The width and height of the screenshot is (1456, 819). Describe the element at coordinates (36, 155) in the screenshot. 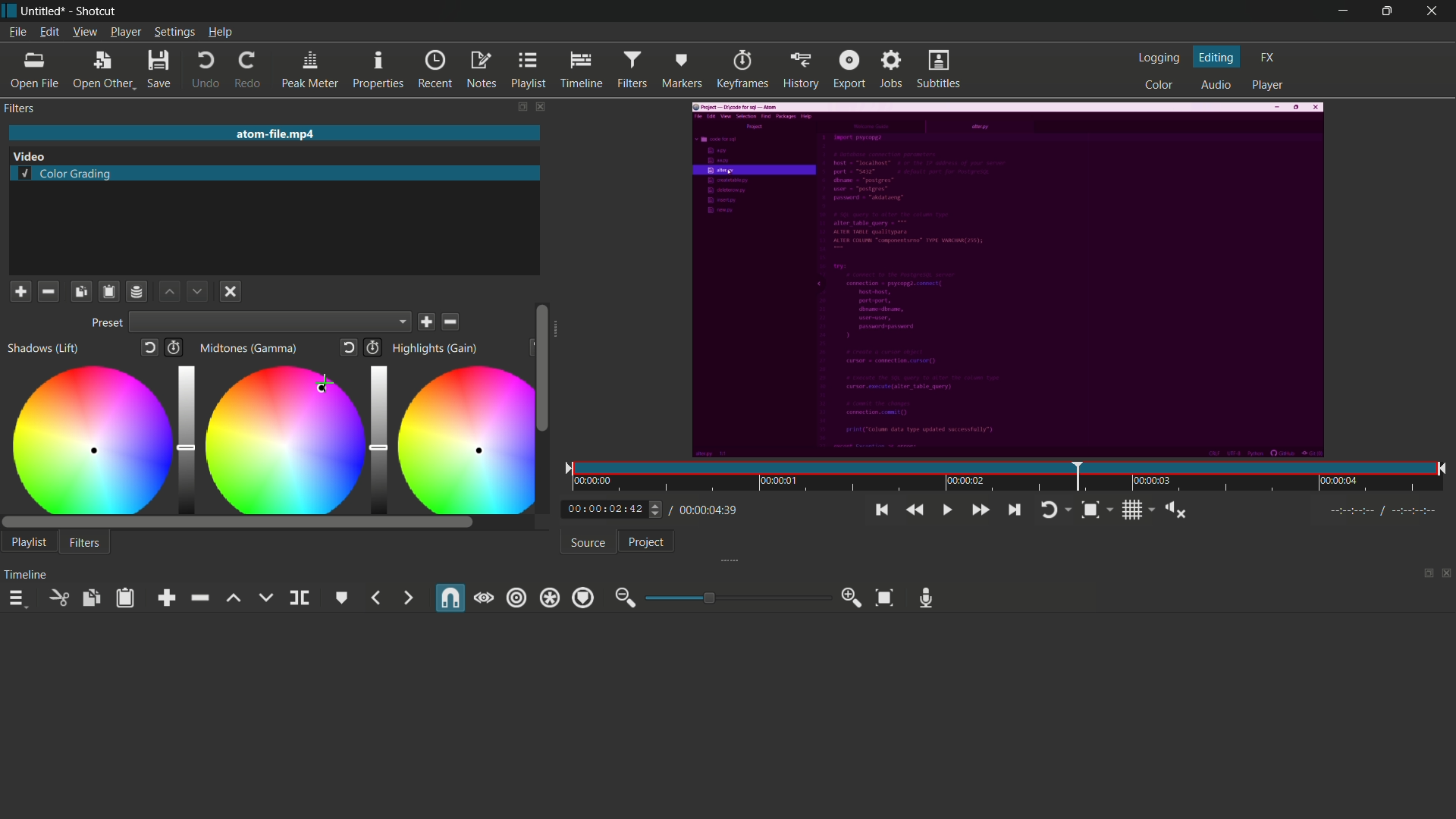

I see `Video` at that location.